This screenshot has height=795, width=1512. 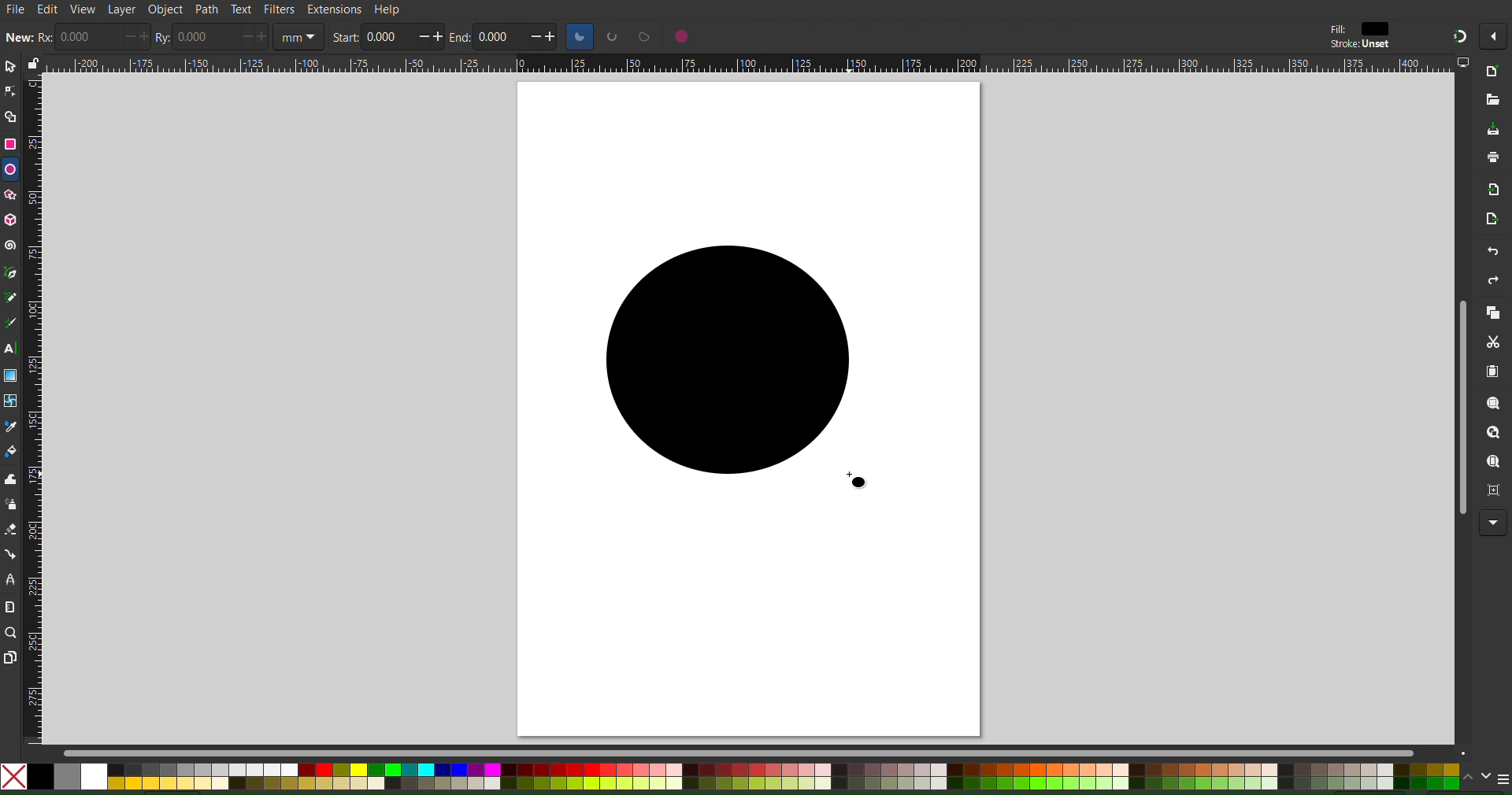 I want to click on Zoom Page, so click(x=1492, y=462).